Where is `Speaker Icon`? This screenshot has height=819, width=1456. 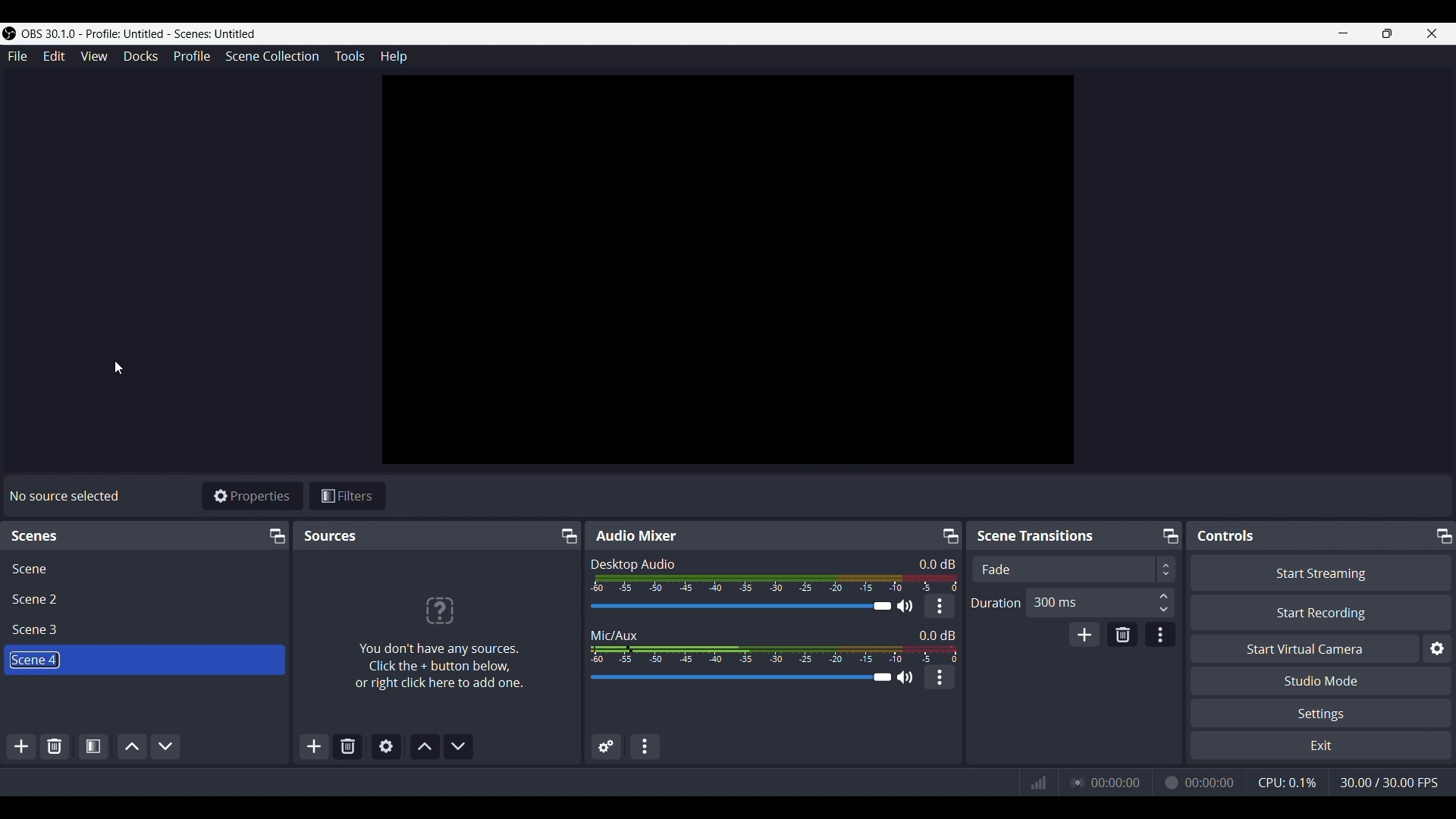
Speaker Icon is located at coordinates (905, 676).